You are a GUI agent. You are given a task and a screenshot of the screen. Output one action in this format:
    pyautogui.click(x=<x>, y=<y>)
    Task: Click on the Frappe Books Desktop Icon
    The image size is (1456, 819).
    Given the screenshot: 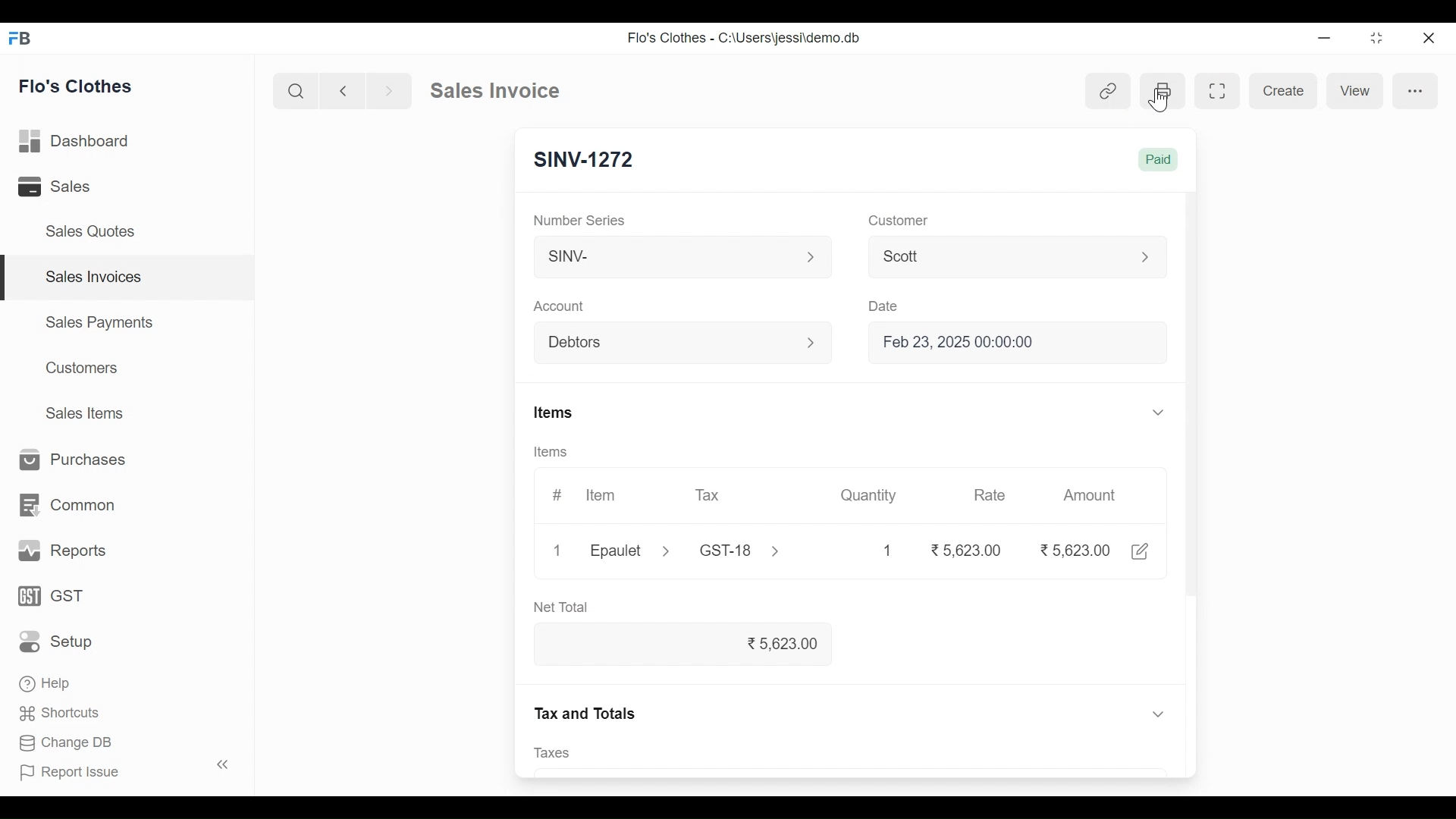 What is the action you would take?
    pyautogui.click(x=20, y=38)
    